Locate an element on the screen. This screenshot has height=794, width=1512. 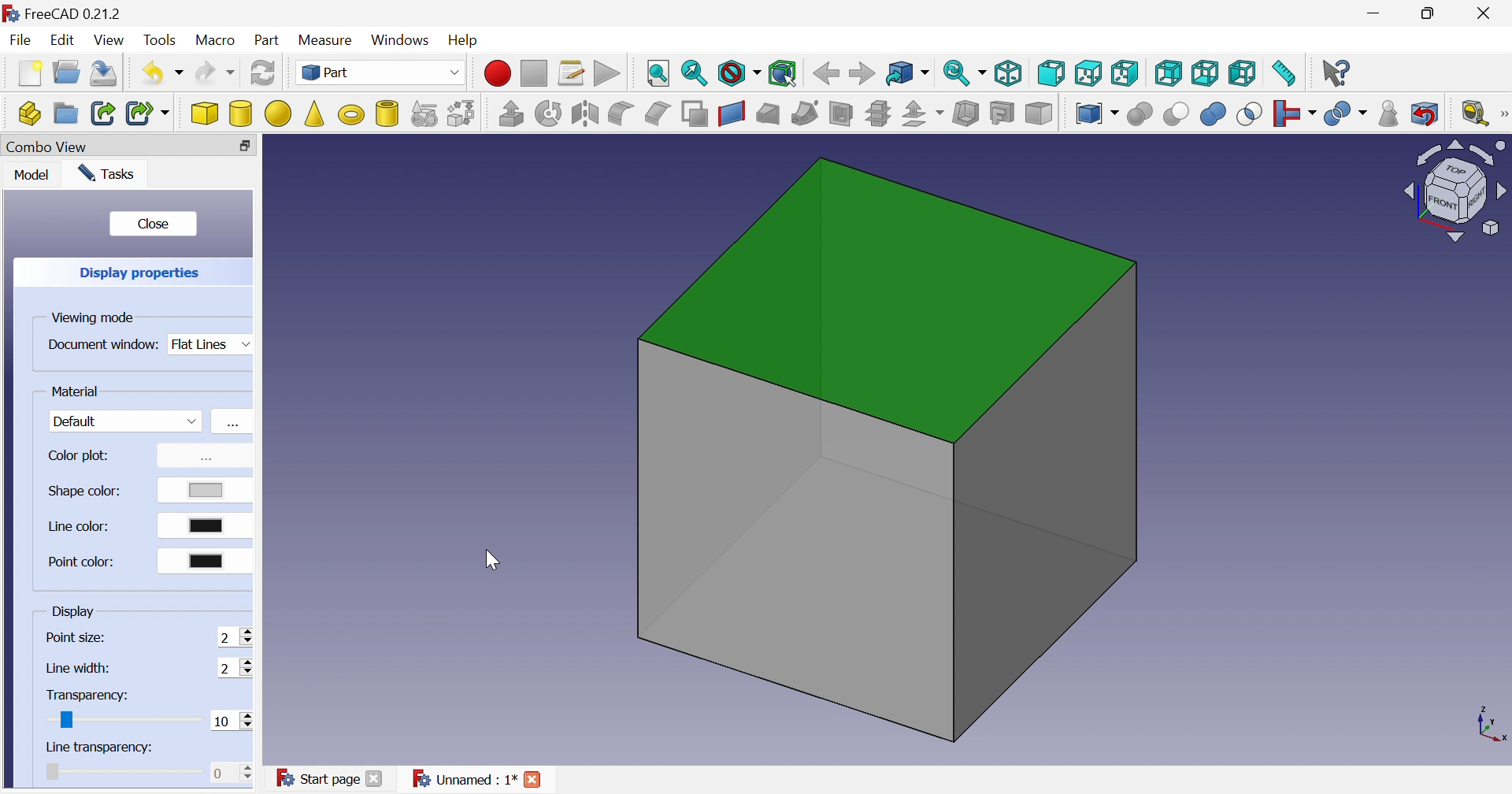
Minimize is located at coordinates (1373, 13).